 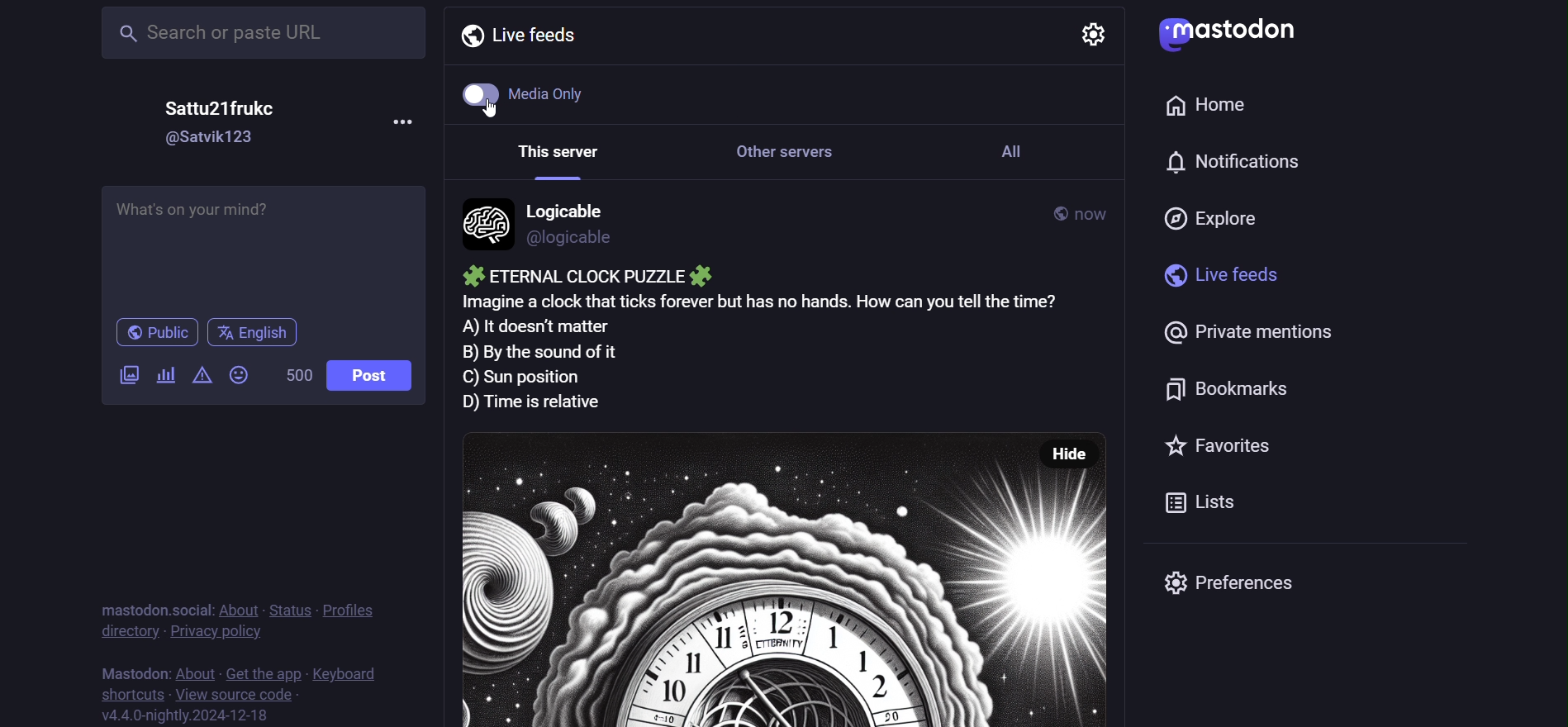 I want to click on profiles, so click(x=349, y=611).